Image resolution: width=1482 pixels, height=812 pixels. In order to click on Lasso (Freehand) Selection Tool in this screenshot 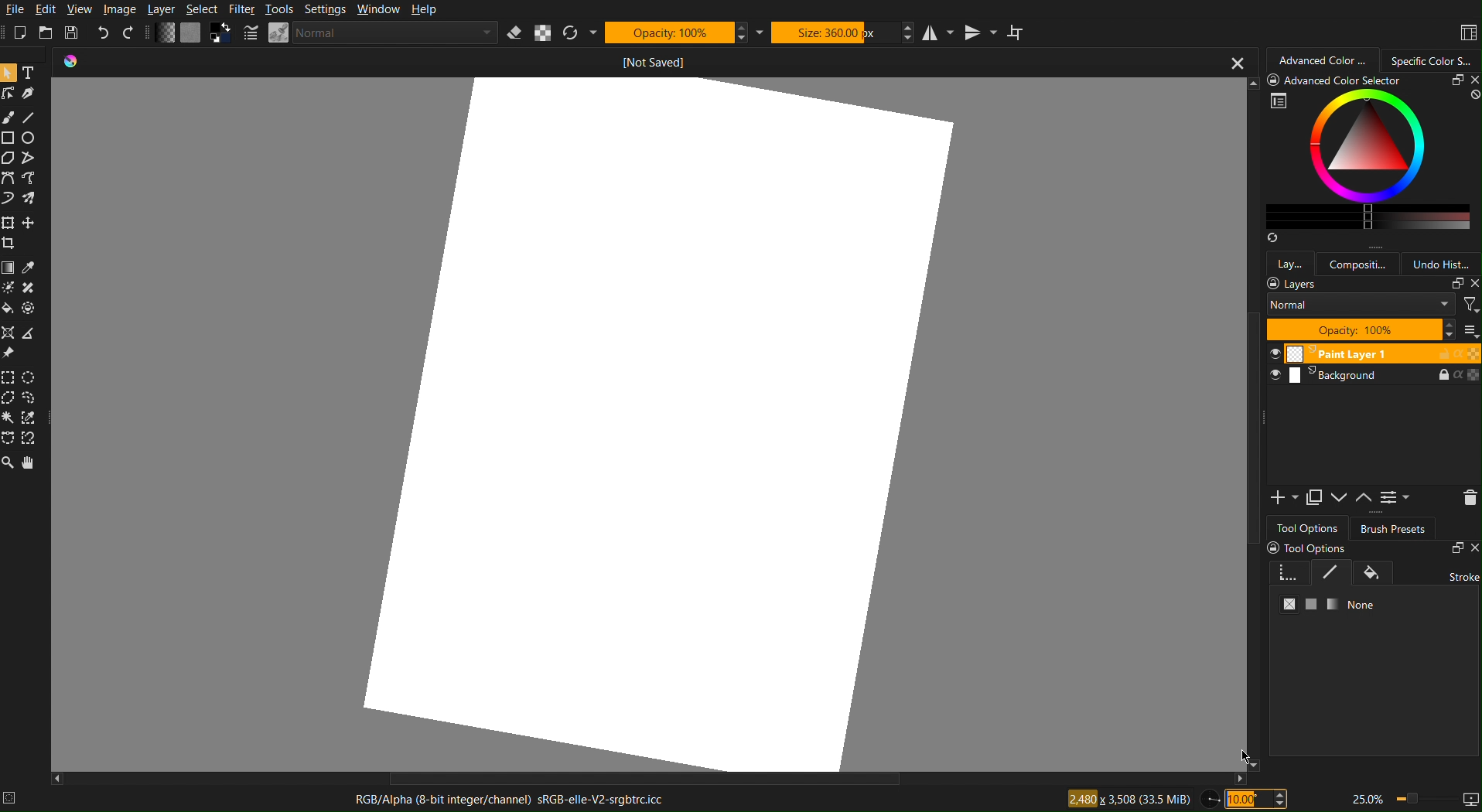, I will do `click(30, 398)`.